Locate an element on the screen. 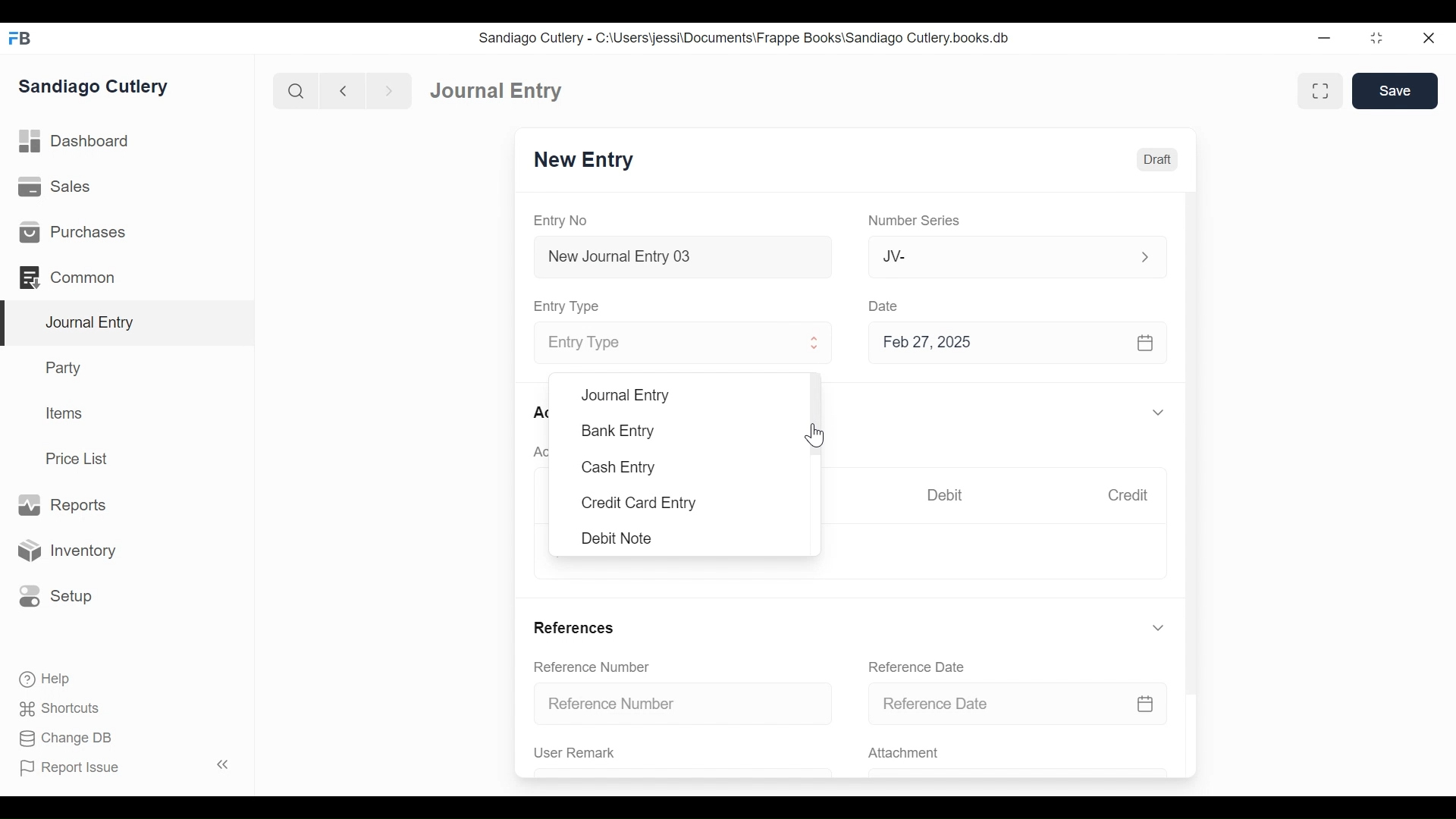 The image size is (1456, 819). New Entry is located at coordinates (585, 161).